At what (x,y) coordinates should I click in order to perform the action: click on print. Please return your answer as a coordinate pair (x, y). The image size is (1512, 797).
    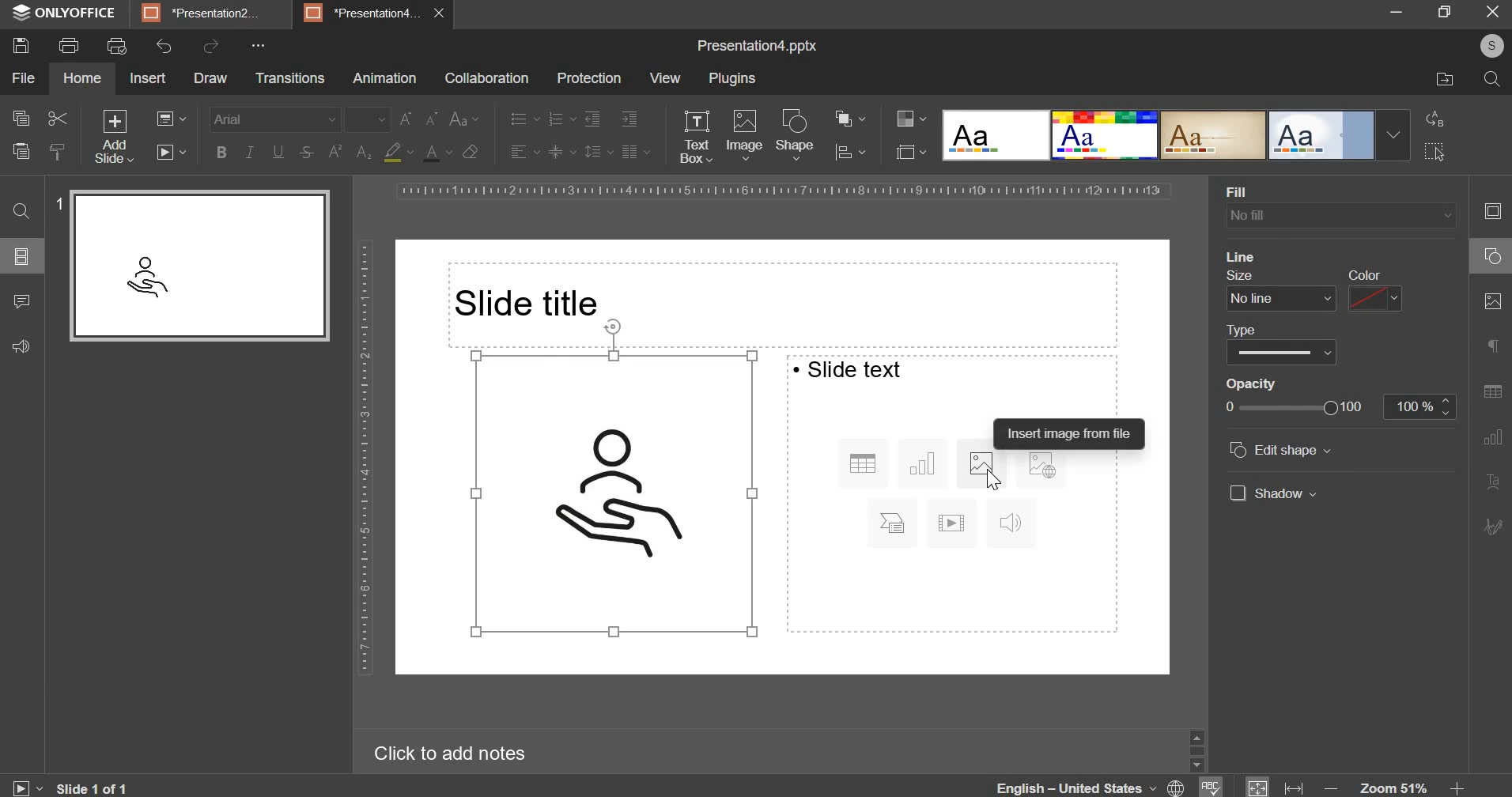
    Looking at the image, I should click on (67, 46).